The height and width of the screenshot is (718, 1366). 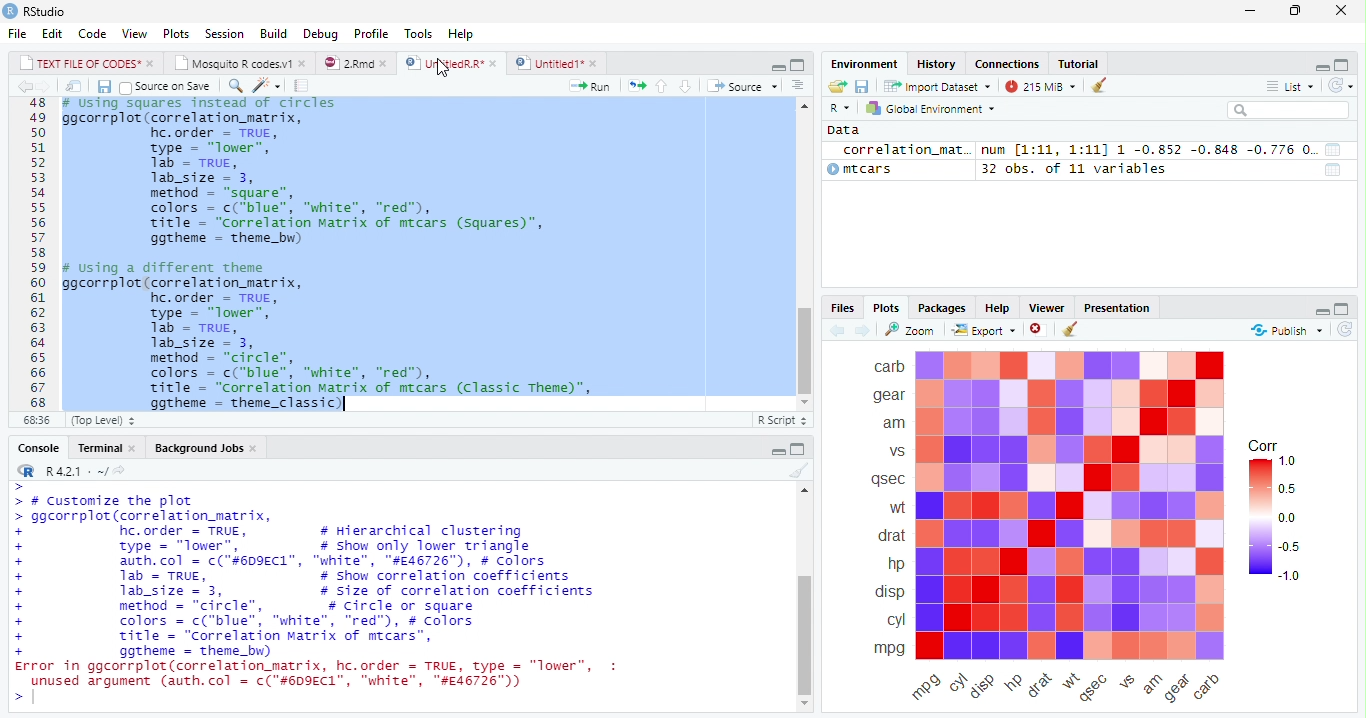 What do you see at coordinates (863, 332) in the screenshot?
I see `go forward` at bounding box center [863, 332].